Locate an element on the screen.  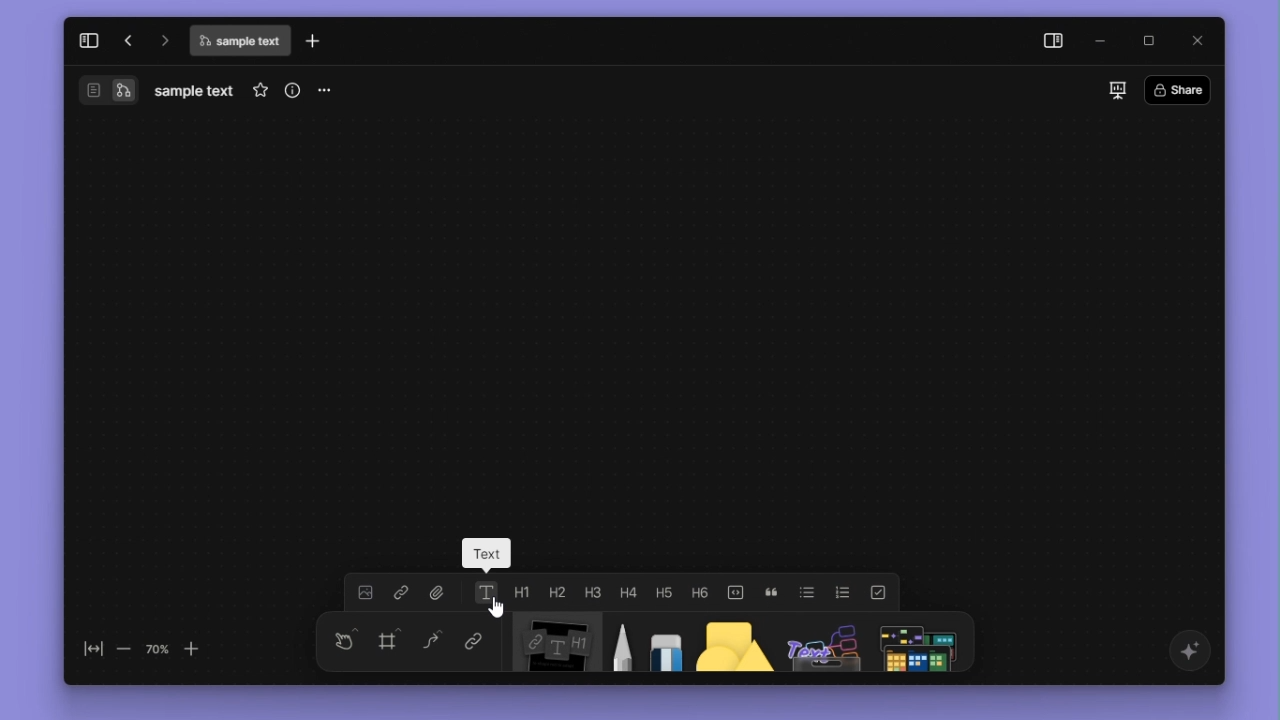
minimize is located at coordinates (1105, 40).